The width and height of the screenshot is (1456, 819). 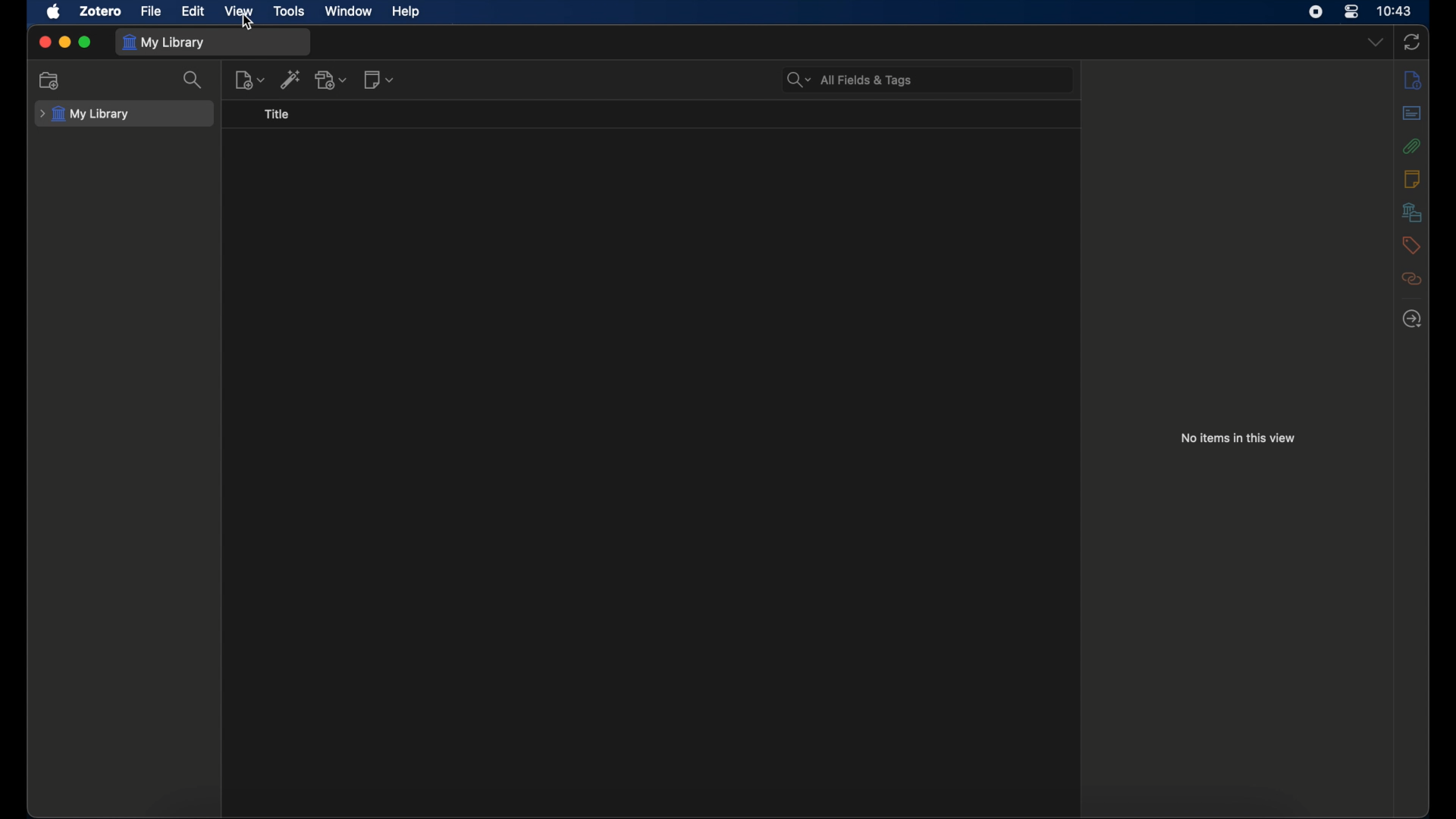 I want to click on tools, so click(x=290, y=11).